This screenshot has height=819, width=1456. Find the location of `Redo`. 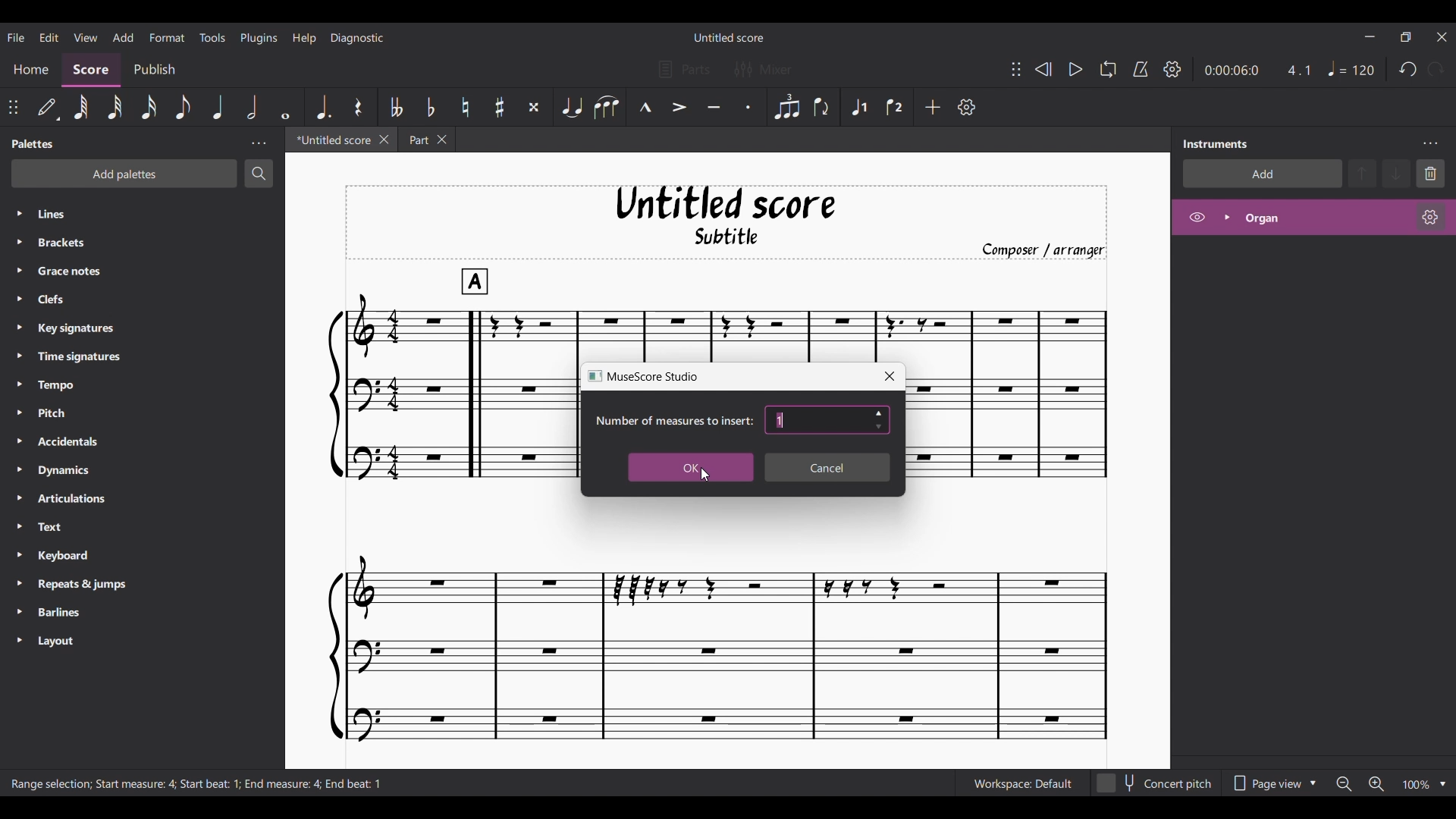

Redo is located at coordinates (1436, 70).